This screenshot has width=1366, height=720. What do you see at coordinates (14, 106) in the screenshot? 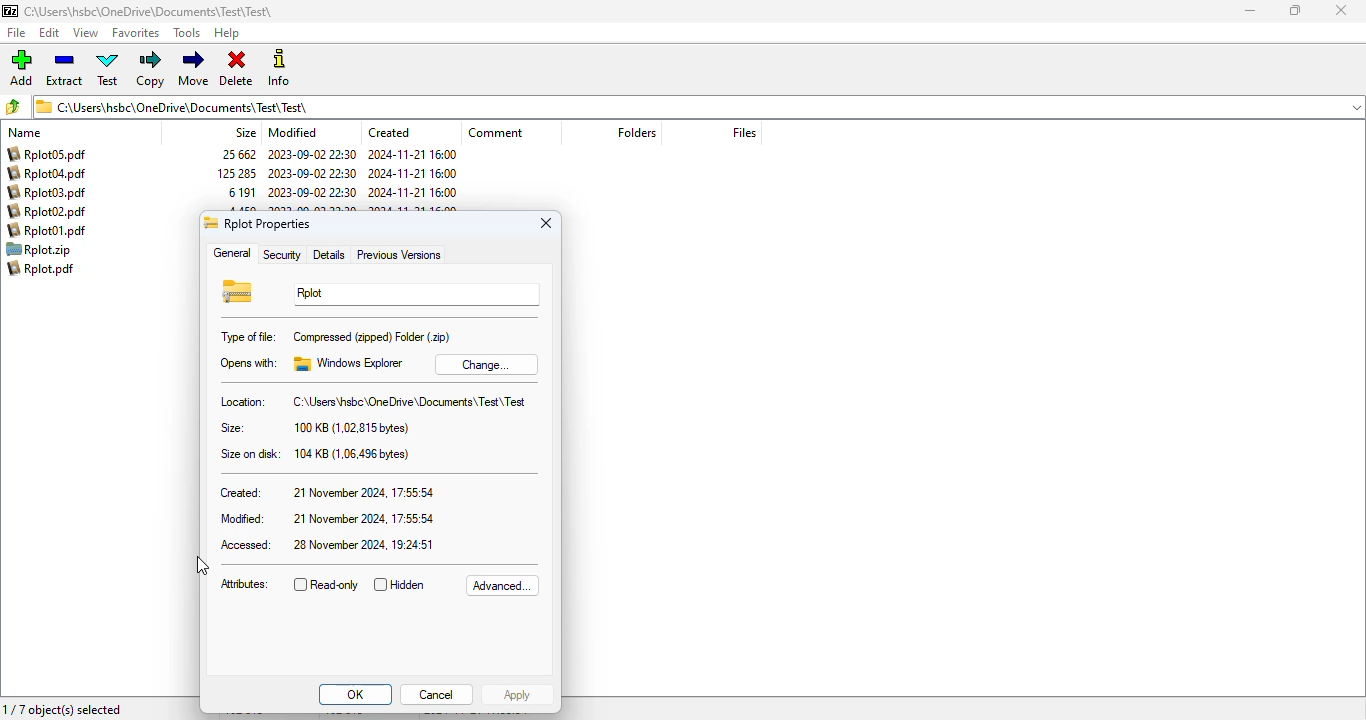
I see `browse folders` at bounding box center [14, 106].